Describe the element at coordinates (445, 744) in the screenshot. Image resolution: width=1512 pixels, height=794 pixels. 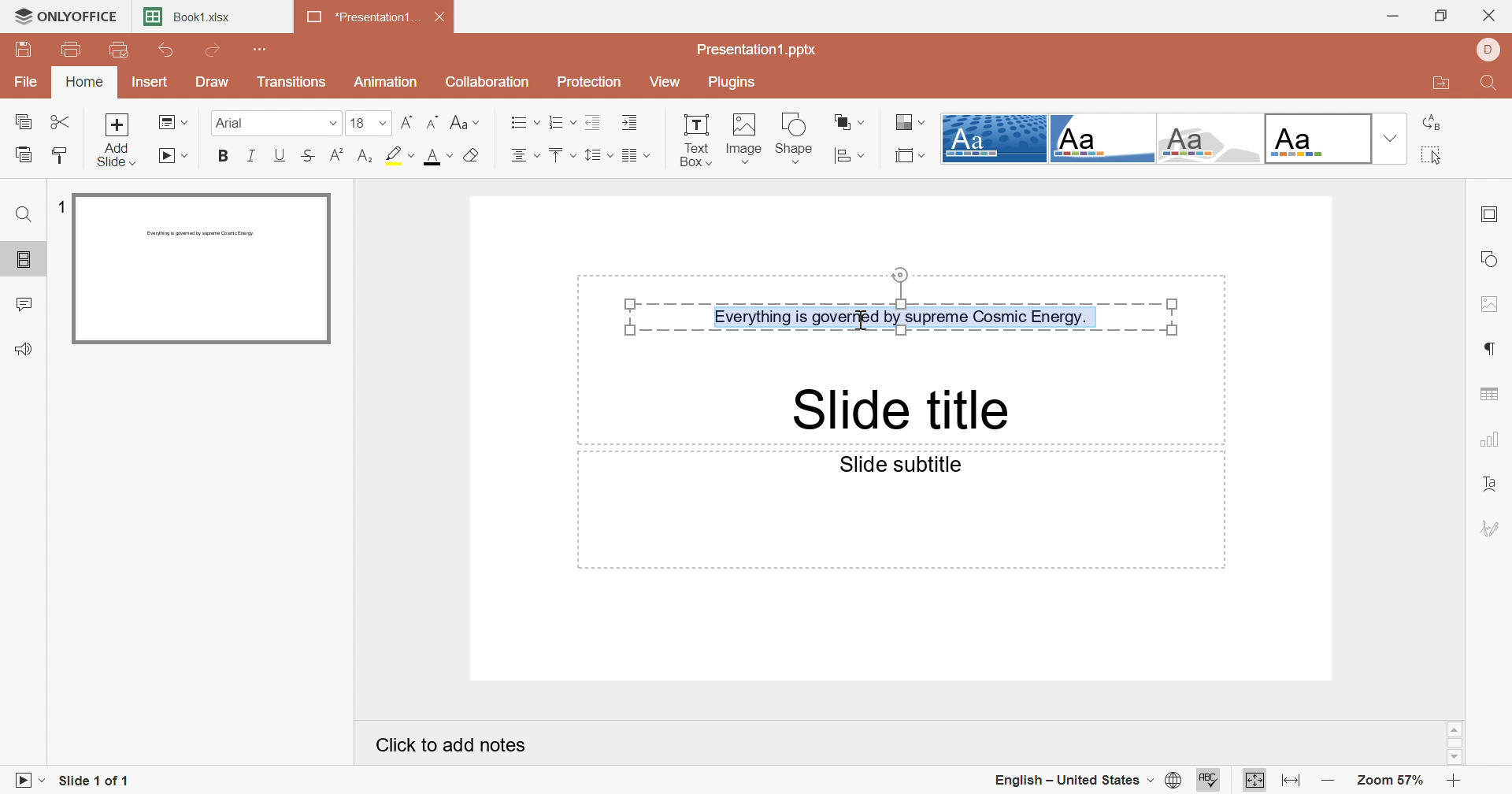
I see `Click to add notes` at that location.